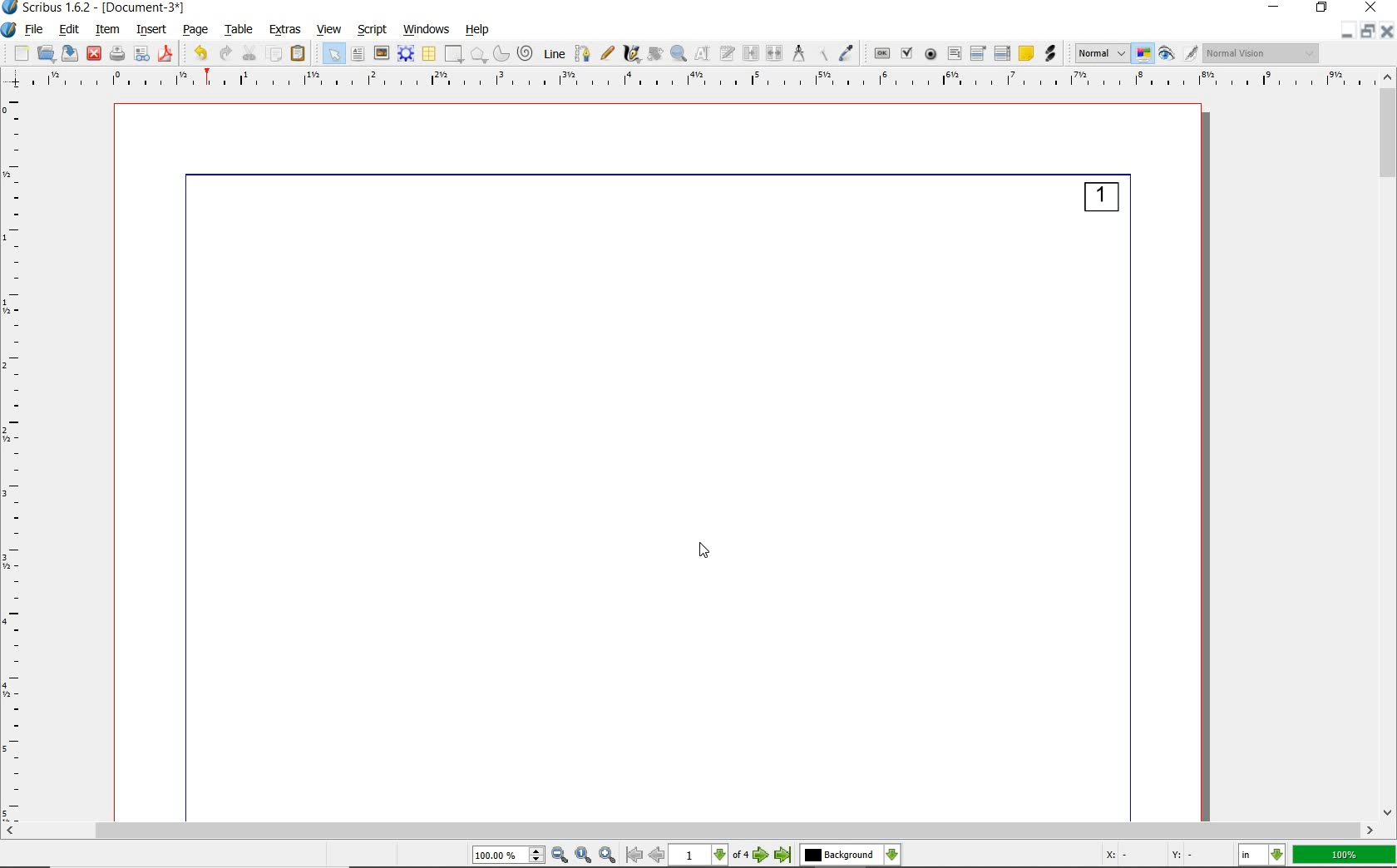  I want to click on pdf list box, so click(1004, 52).